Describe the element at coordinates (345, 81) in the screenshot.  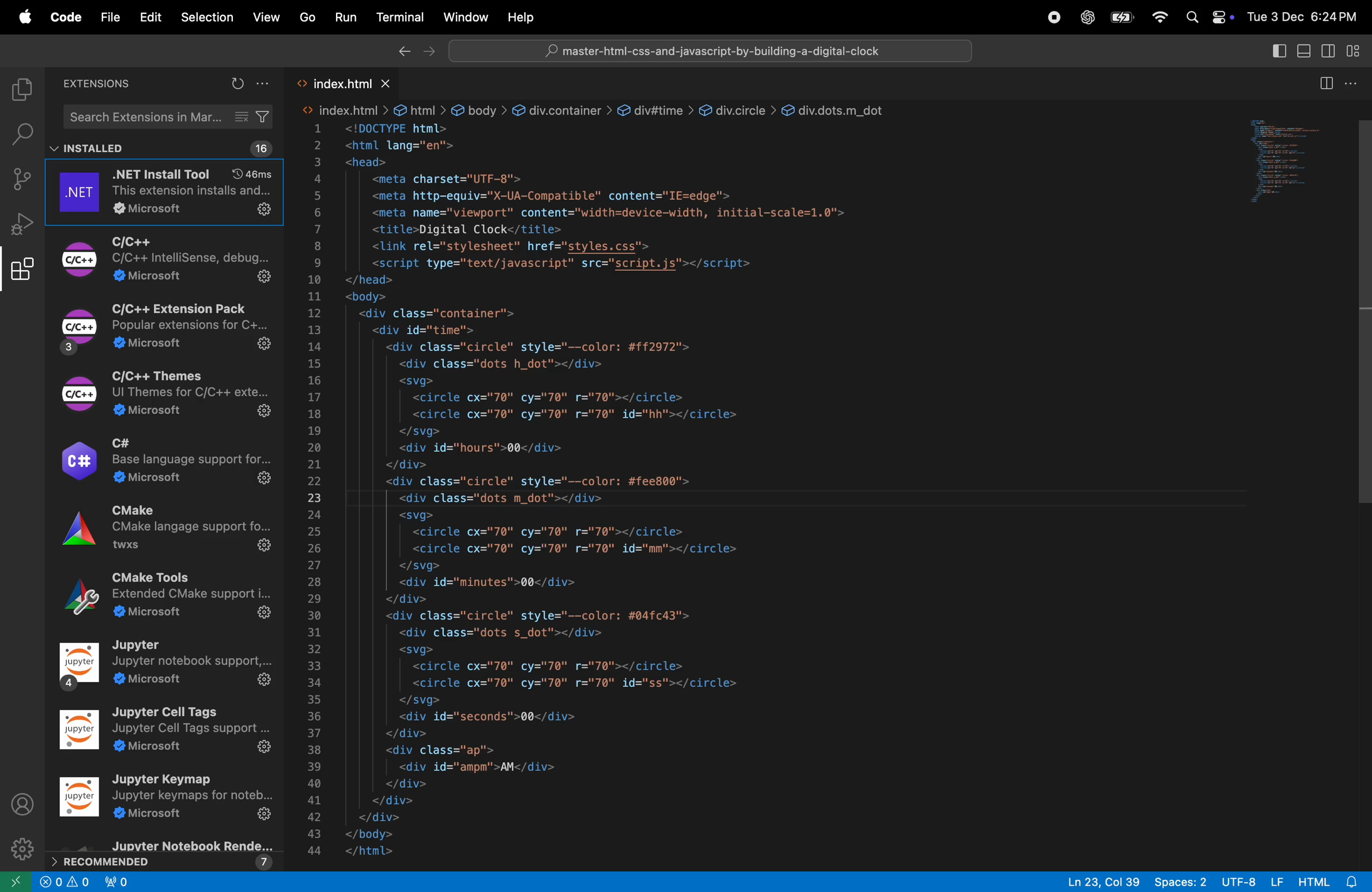
I see `index.html` at that location.